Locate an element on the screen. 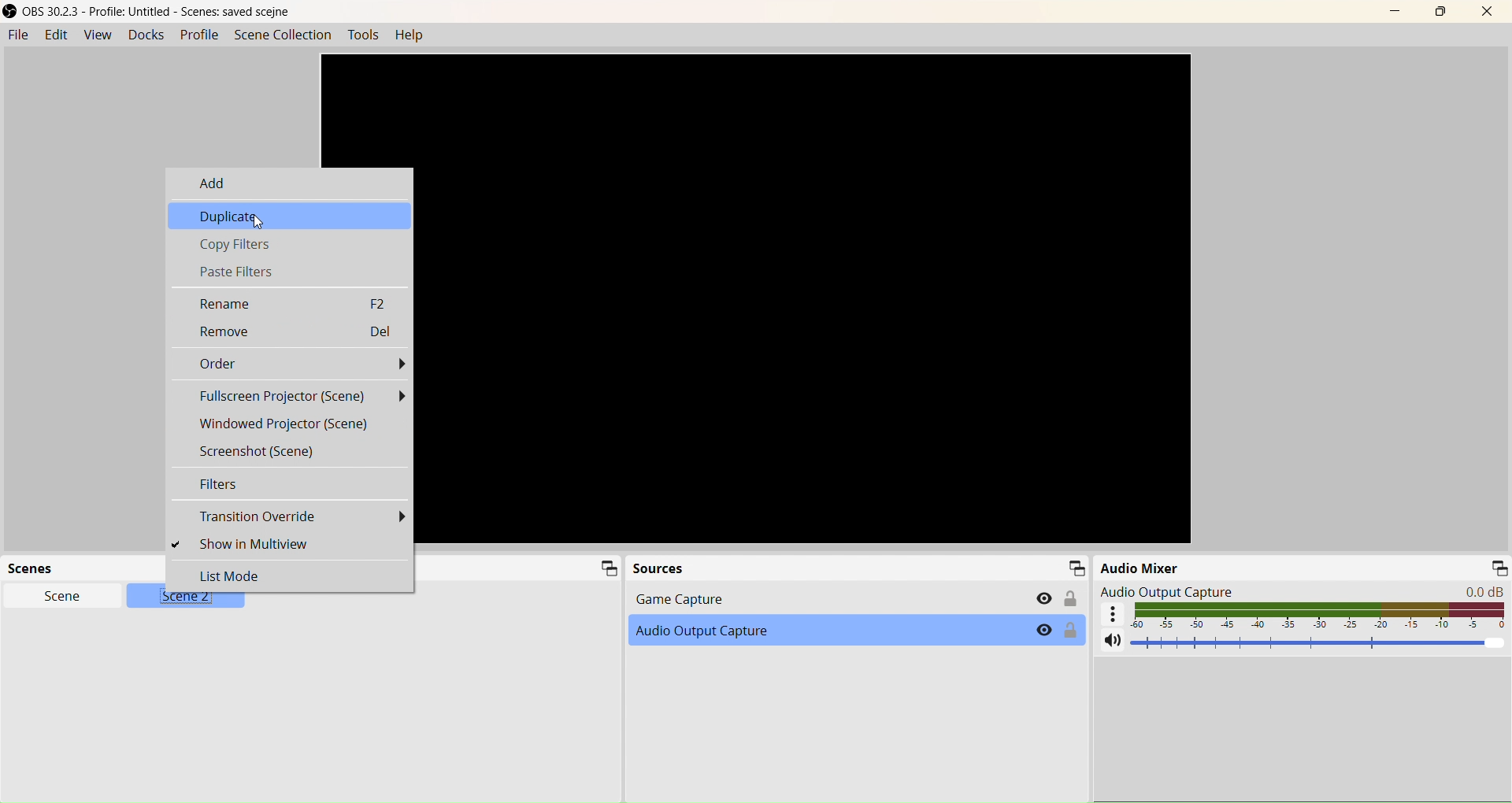 The height and width of the screenshot is (803, 1512). Profile is located at coordinates (199, 35).